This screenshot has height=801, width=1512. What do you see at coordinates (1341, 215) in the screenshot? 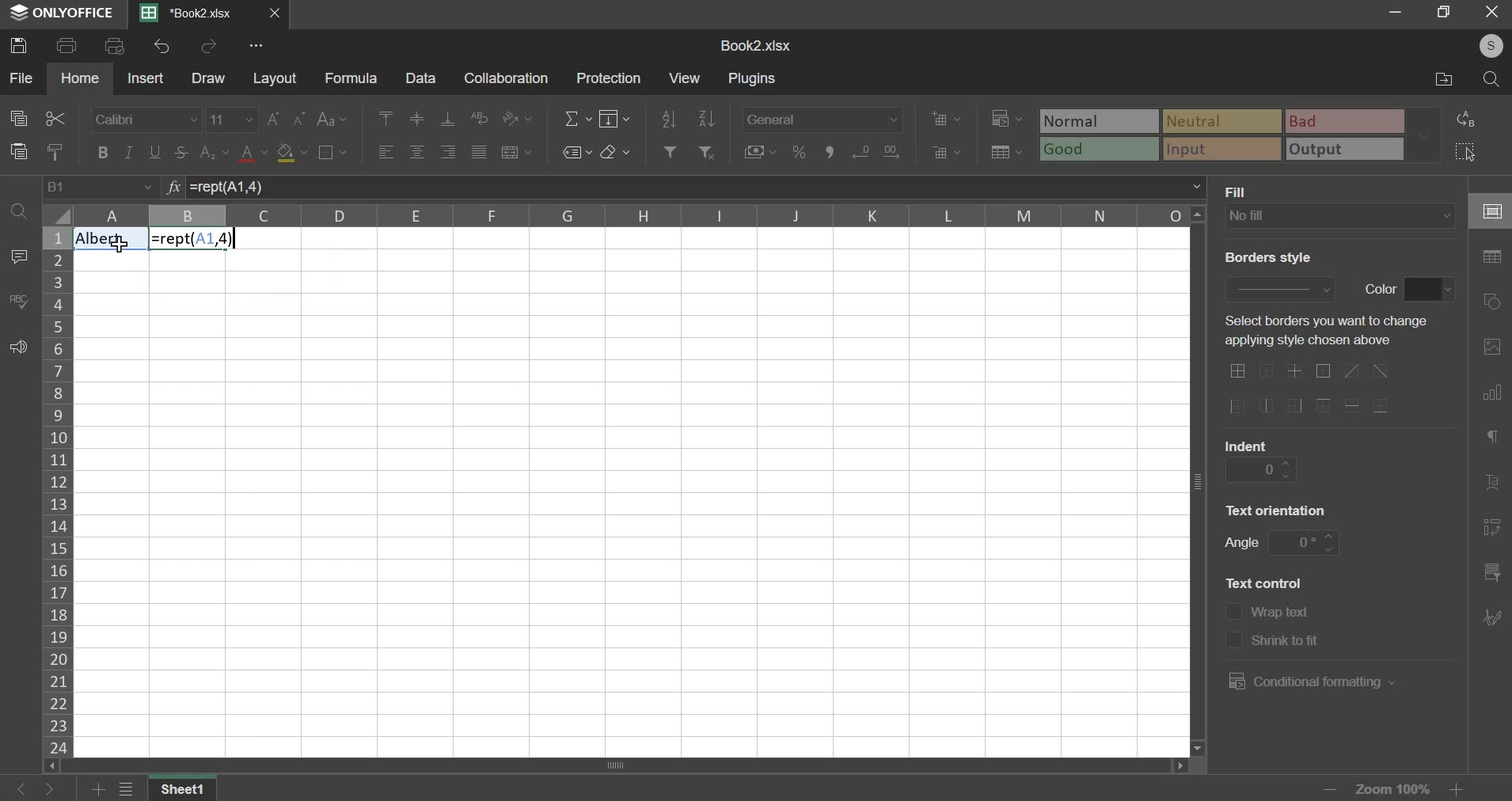
I see `background fill` at bounding box center [1341, 215].